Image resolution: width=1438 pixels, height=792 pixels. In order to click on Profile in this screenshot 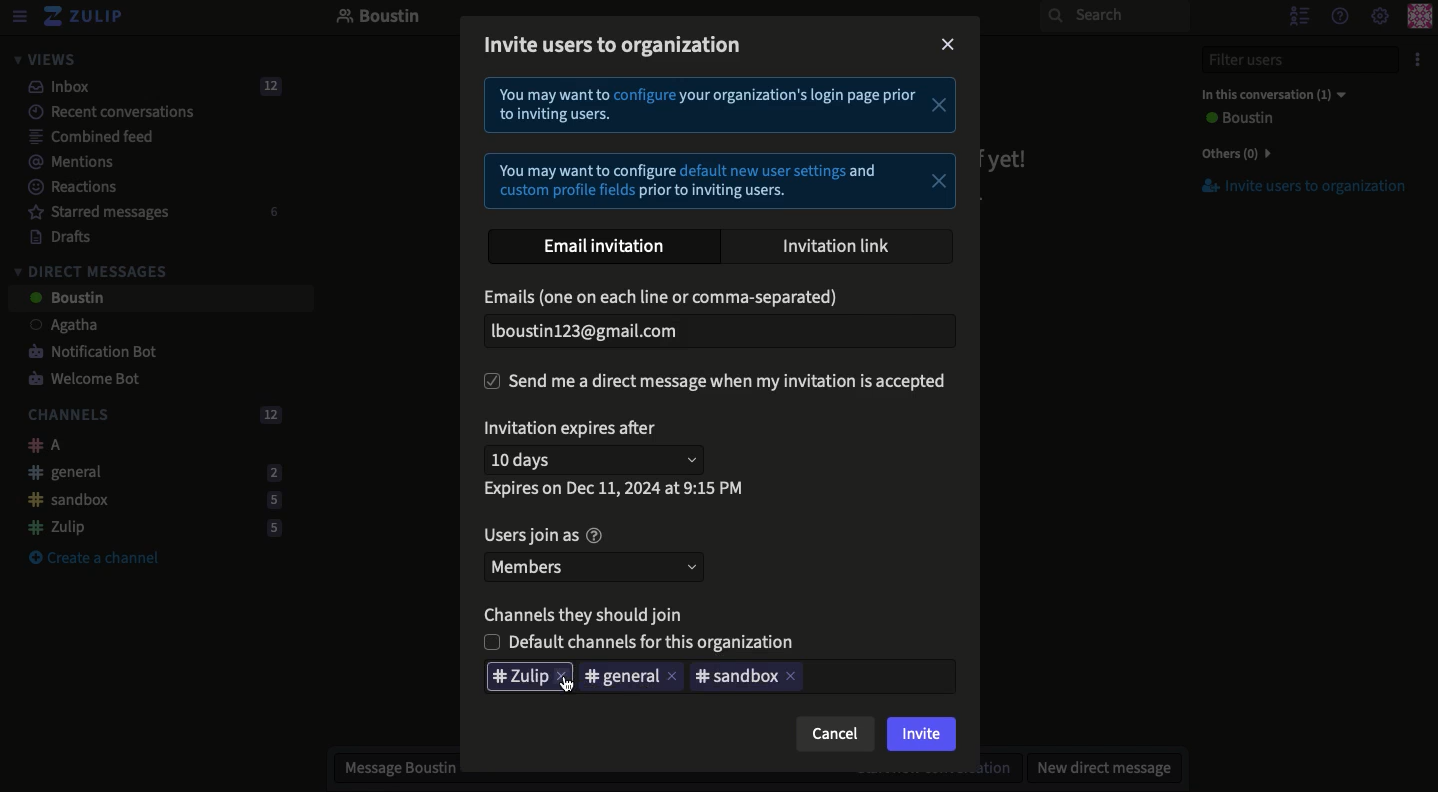, I will do `click(1419, 18)`.